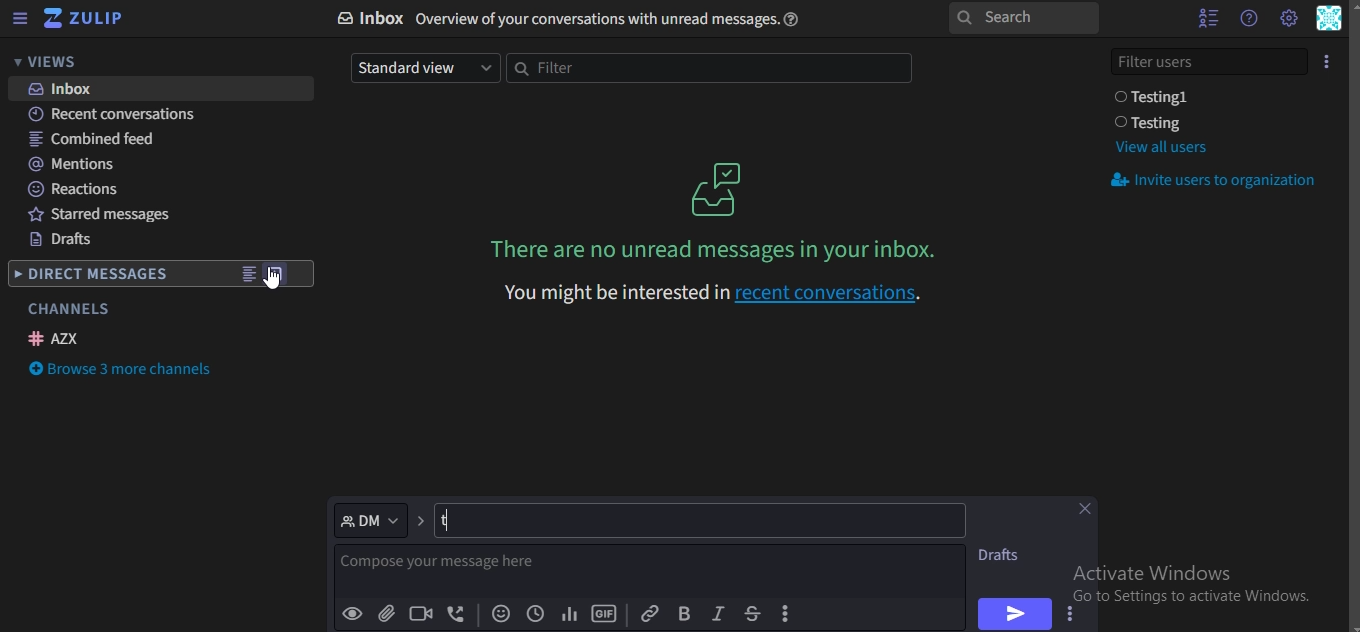 The width and height of the screenshot is (1360, 632). Describe the element at coordinates (1211, 59) in the screenshot. I see `filter users` at that location.